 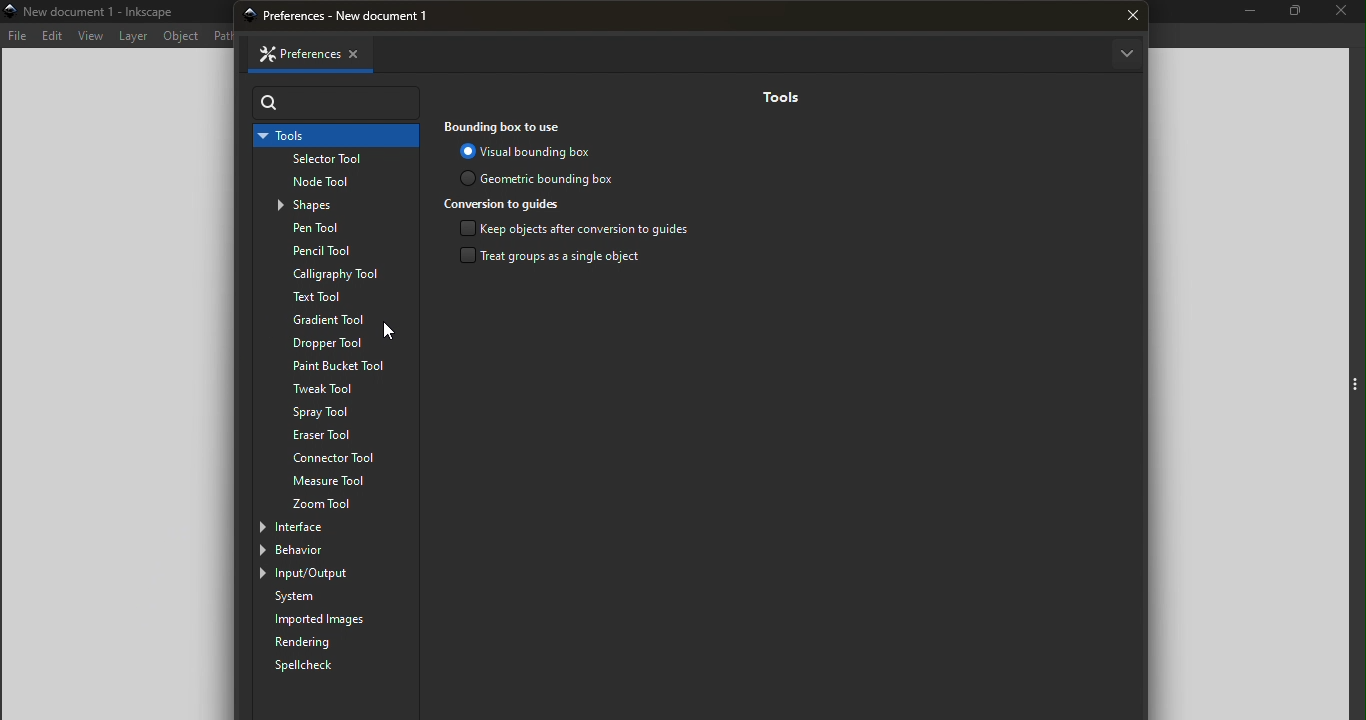 What do you see at coordinates (333, 136) in the screenshot?
I see `Tools` at bounding box center [333, 136].